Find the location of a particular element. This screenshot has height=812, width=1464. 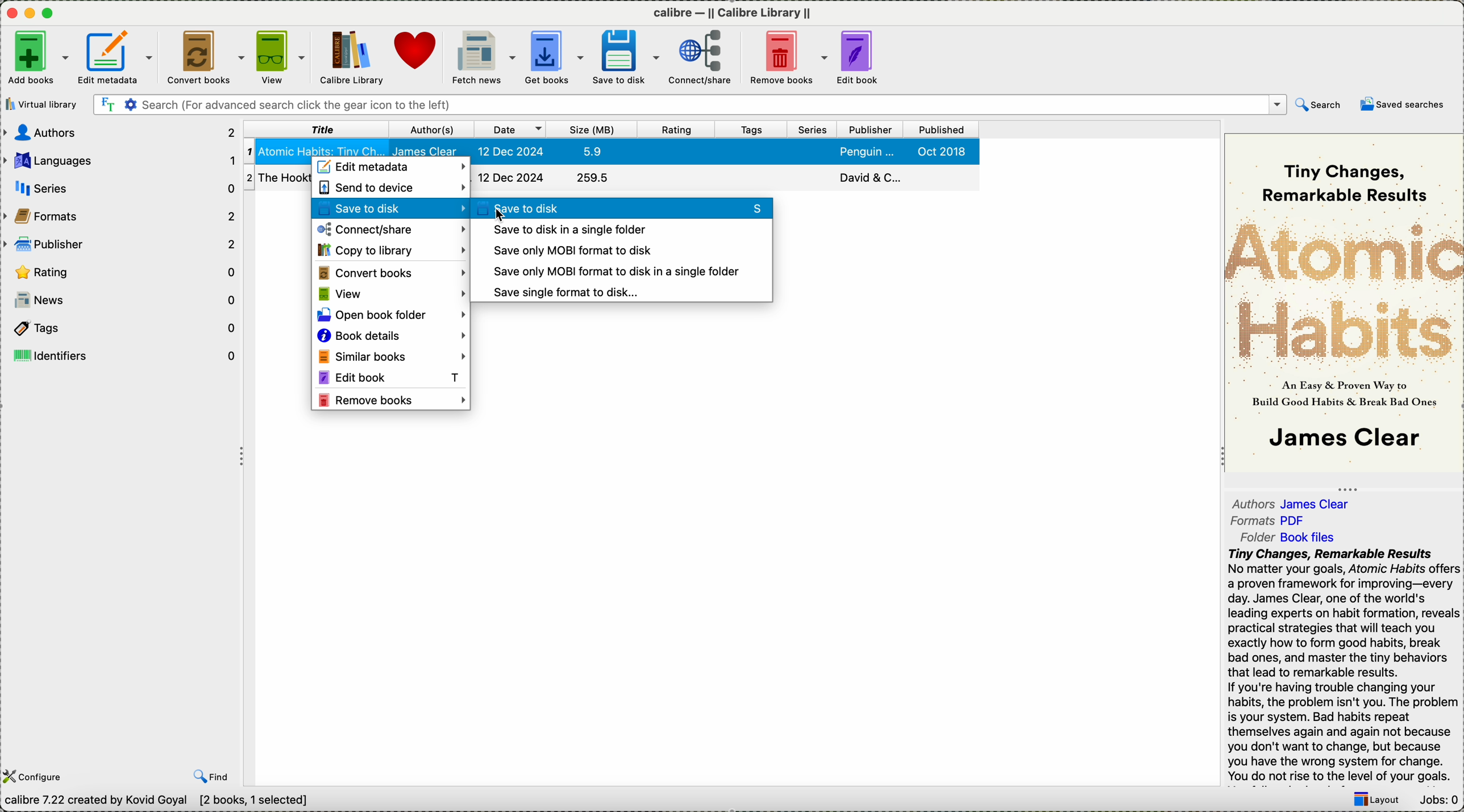

authors is located at coordinates (118, 134).